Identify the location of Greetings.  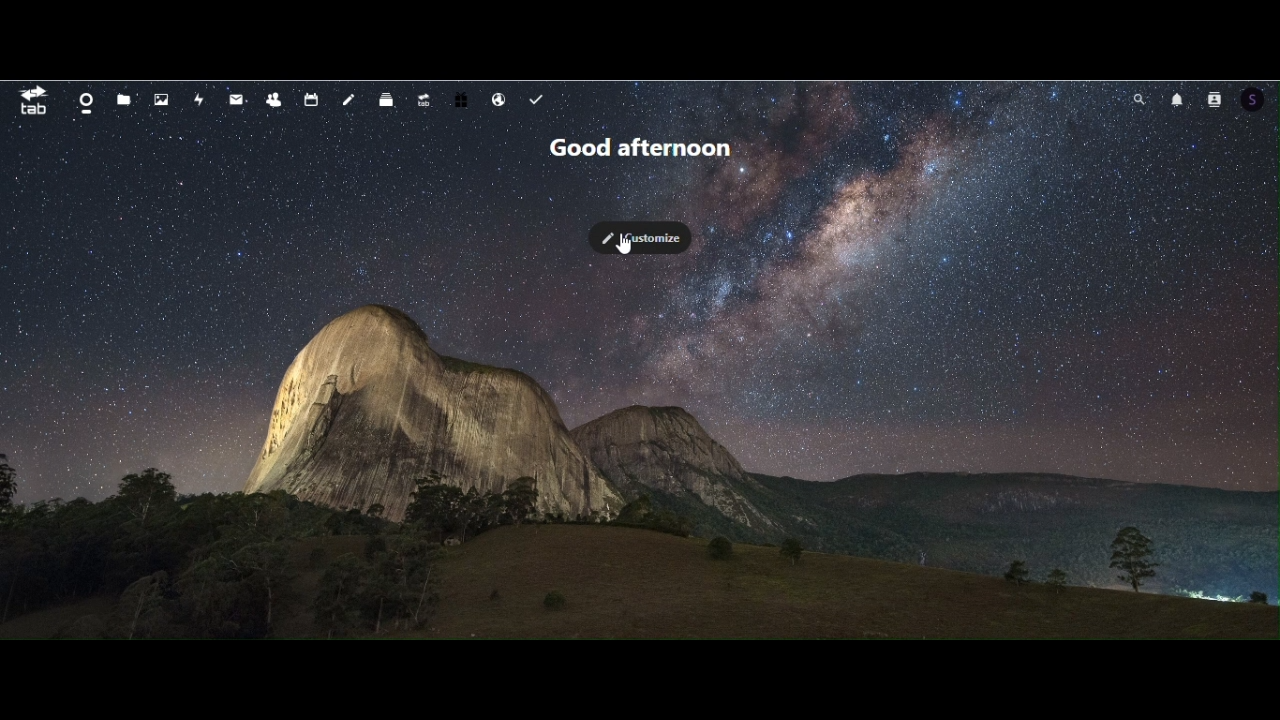
(642, 150).